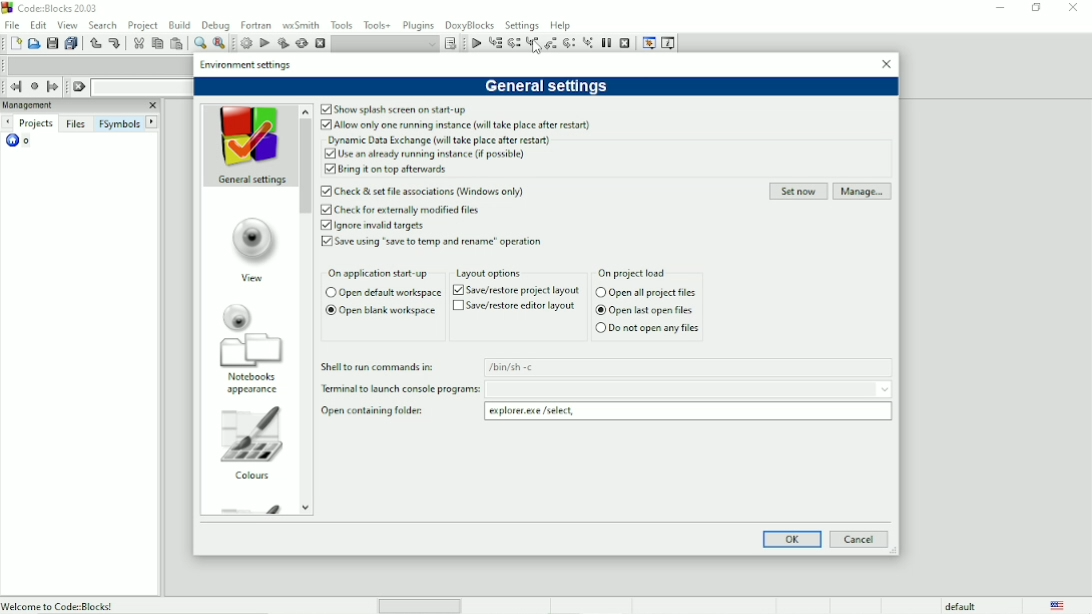  I want to click on Manage, so click(863, 192).